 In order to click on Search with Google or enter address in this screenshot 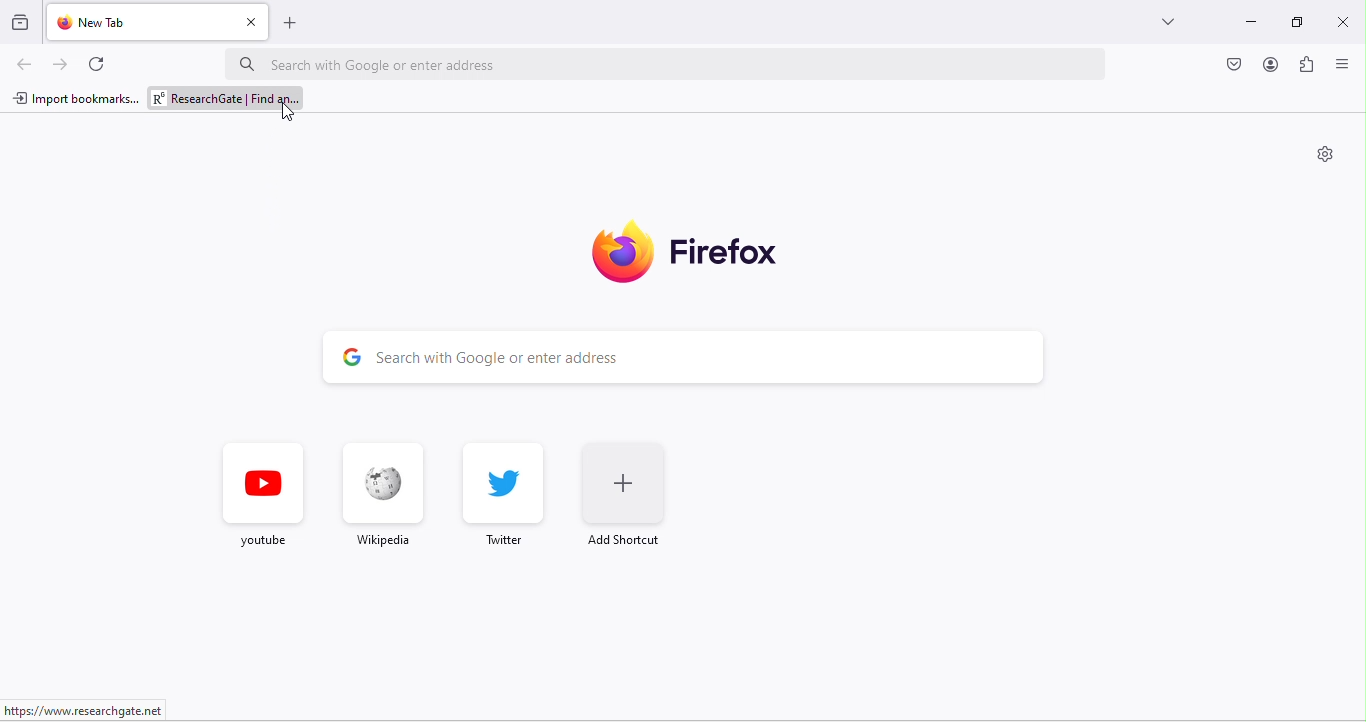, I will do `click(677, 353)`.